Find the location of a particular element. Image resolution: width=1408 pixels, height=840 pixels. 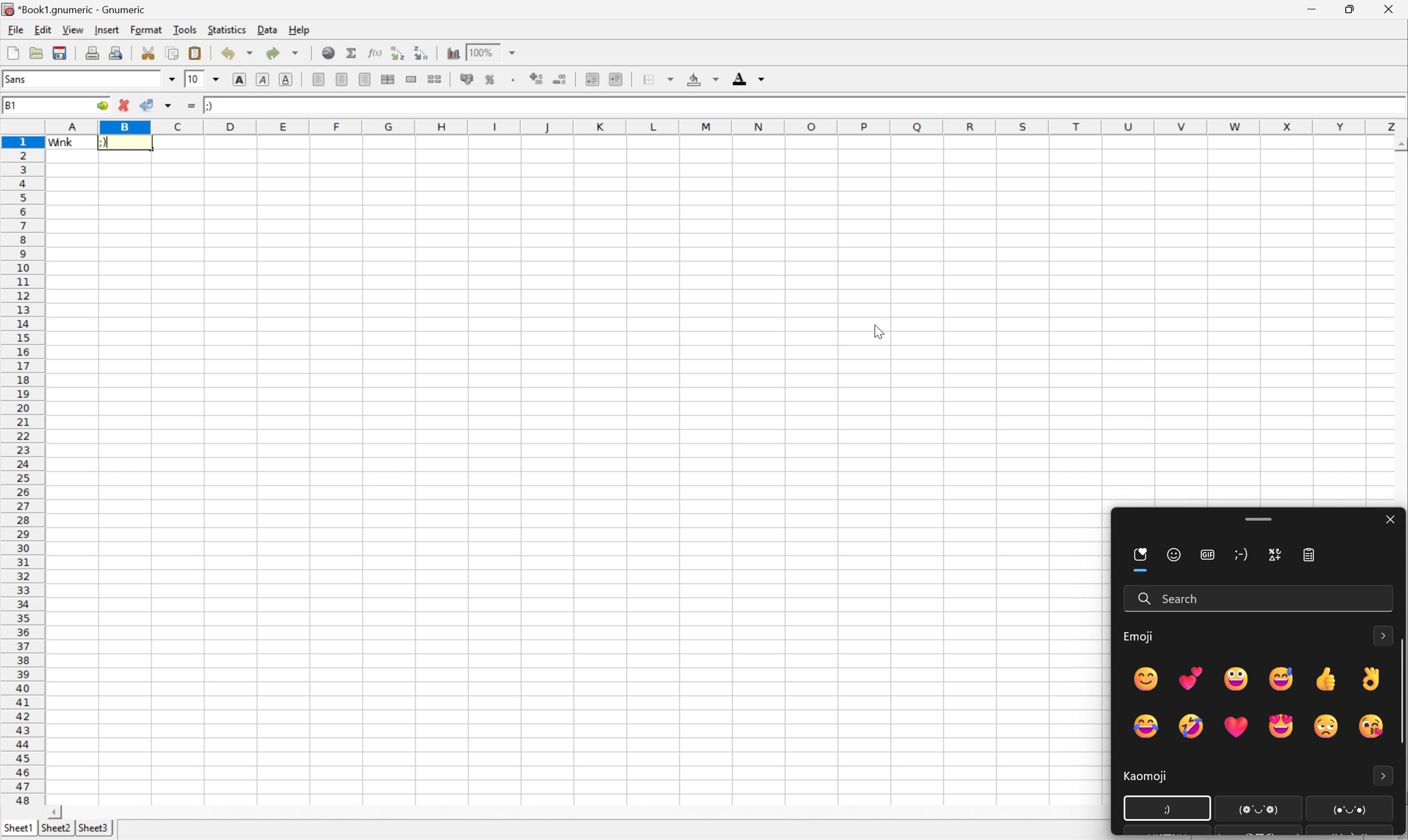

tools is located at coordinates (183, 31).